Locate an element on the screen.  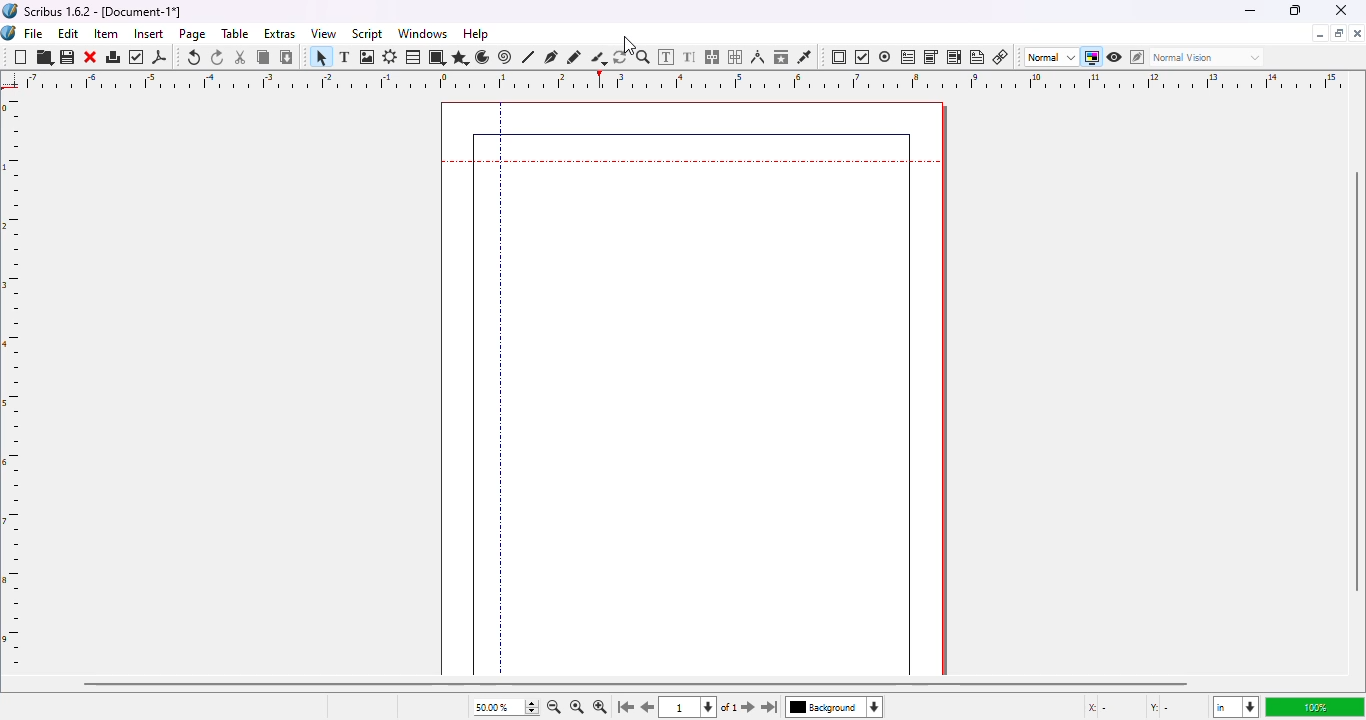
in is located at coordinates (1234, 708).